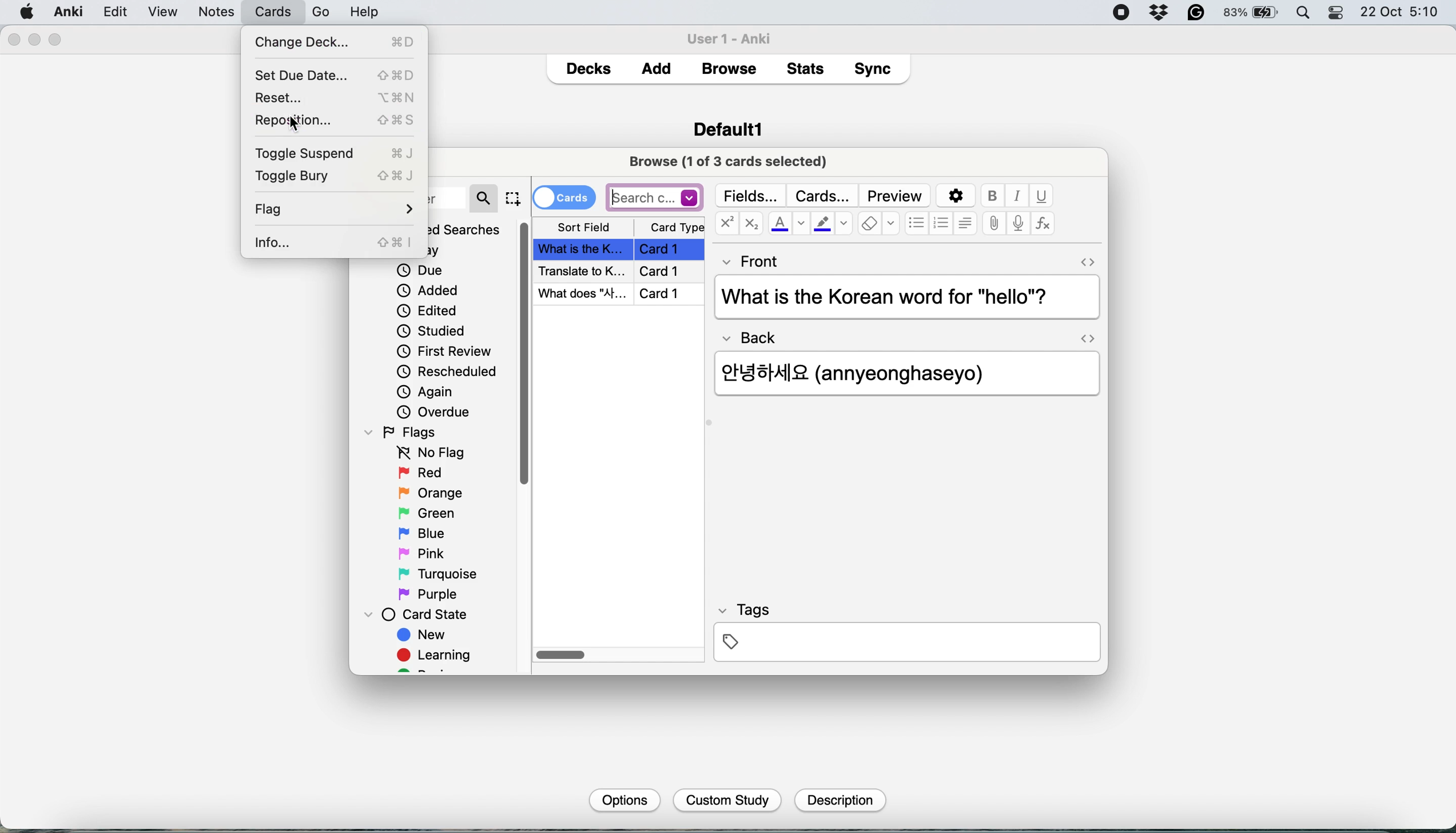  What do you see at coordinates (27, 11) in the screenshot?
I see `system logo` at bounding box center [27, 11].